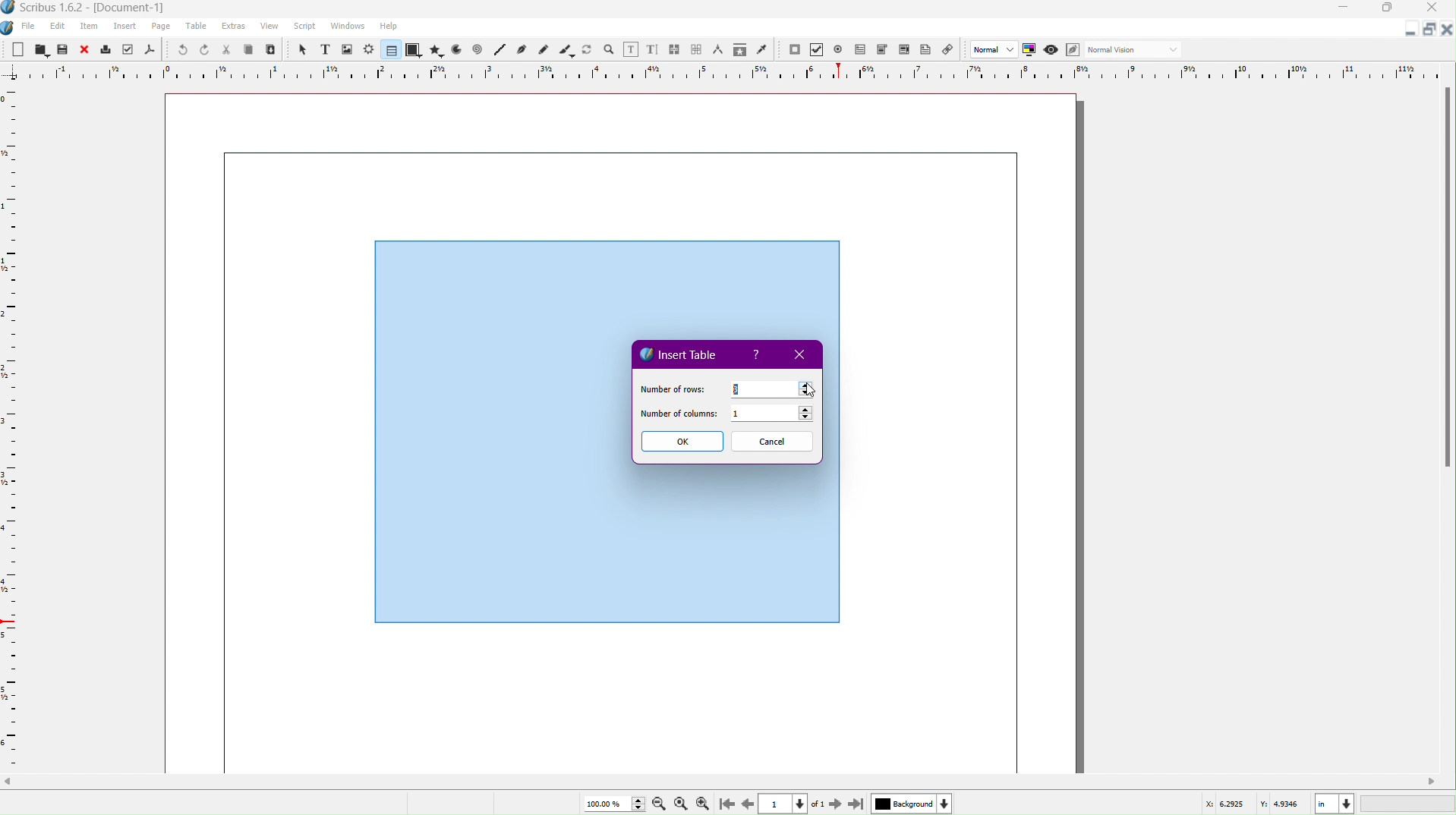  What do you see at coordinates (728, 782) in the screenshot?
I see `Scrollbar` at bounding box center [728, 782].